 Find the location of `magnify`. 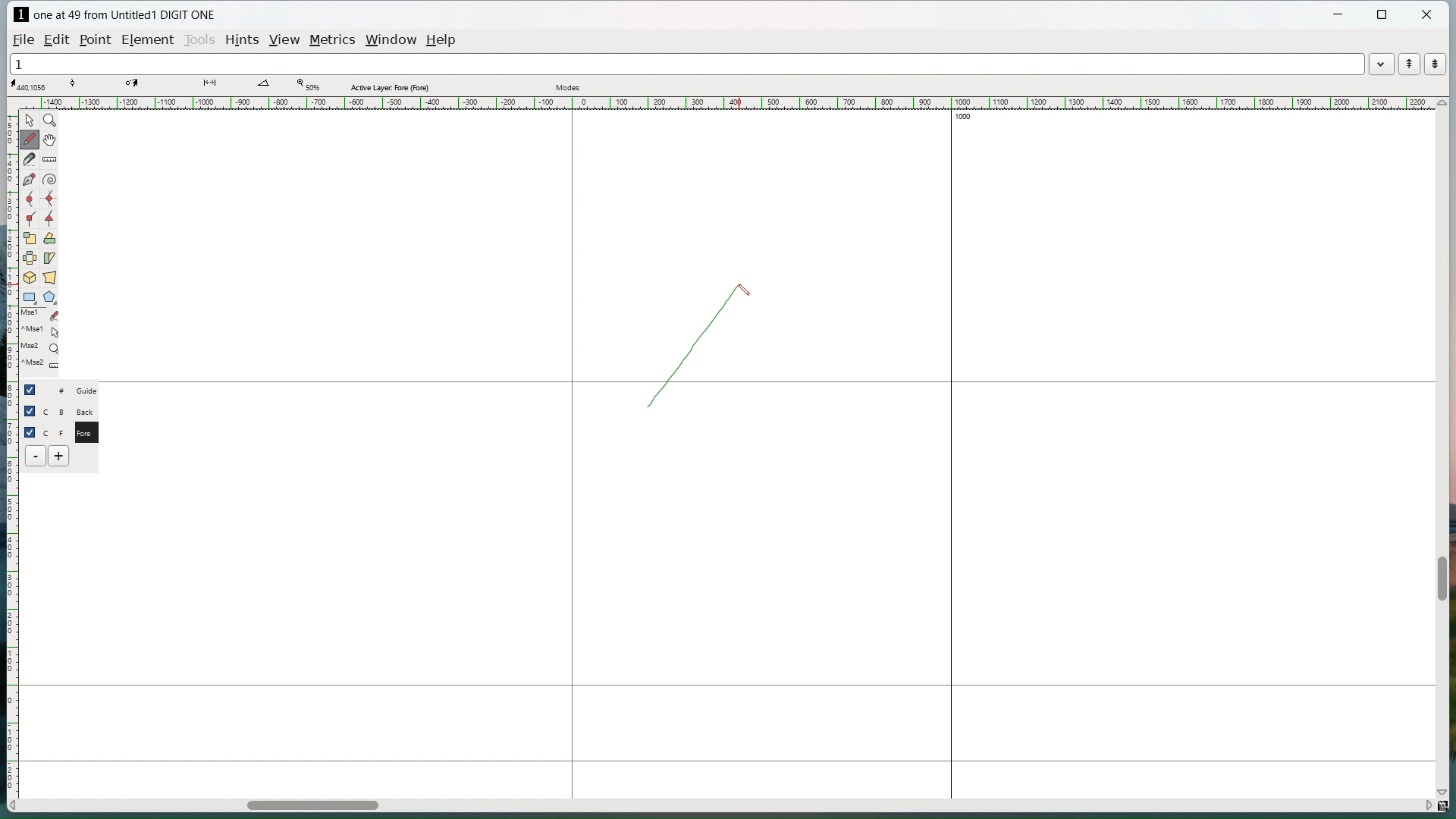

magnify is located at coordinates (50, 120).